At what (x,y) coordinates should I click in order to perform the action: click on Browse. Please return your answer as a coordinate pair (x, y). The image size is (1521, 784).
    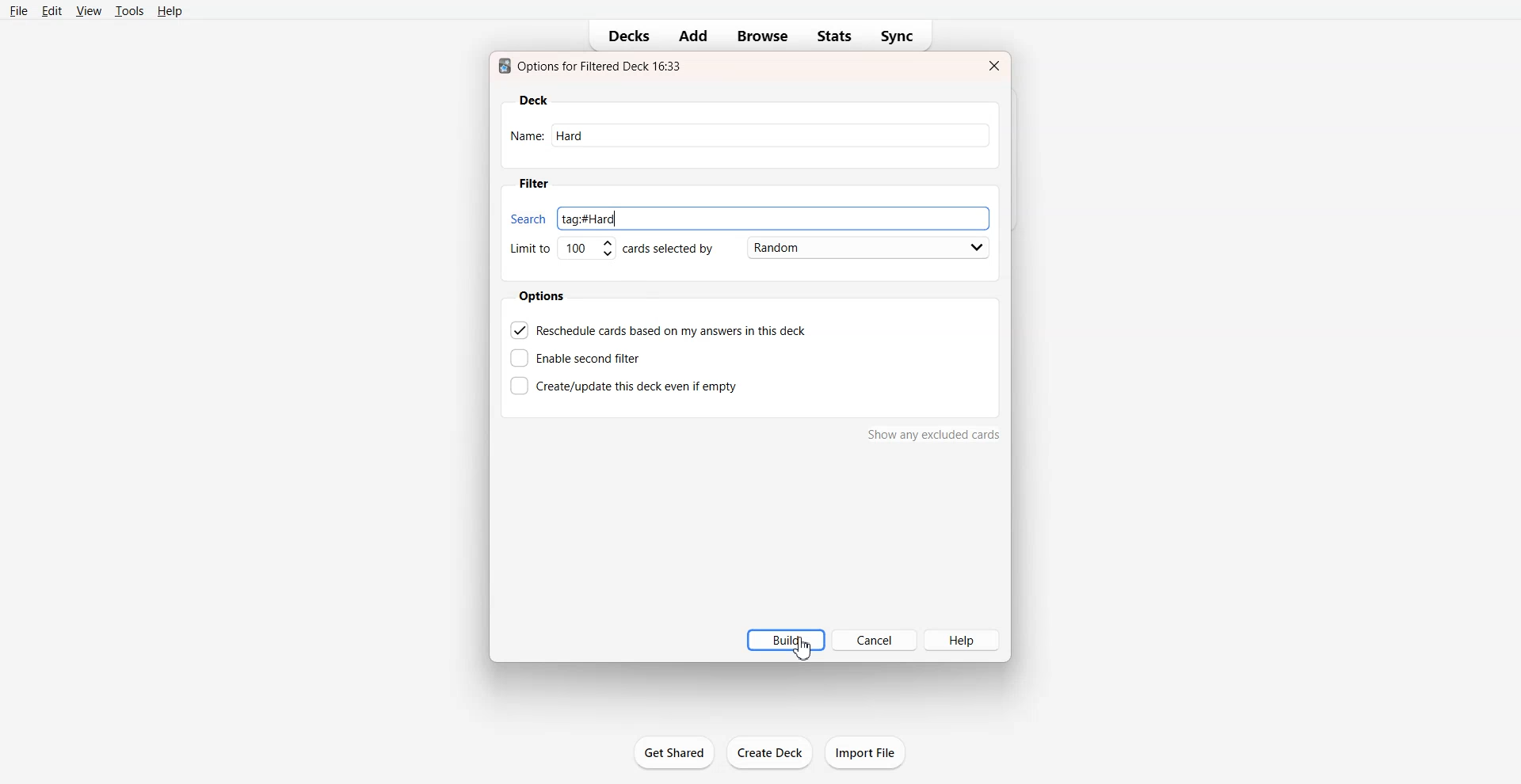
    Looking at the image, I should click on (764, 36).